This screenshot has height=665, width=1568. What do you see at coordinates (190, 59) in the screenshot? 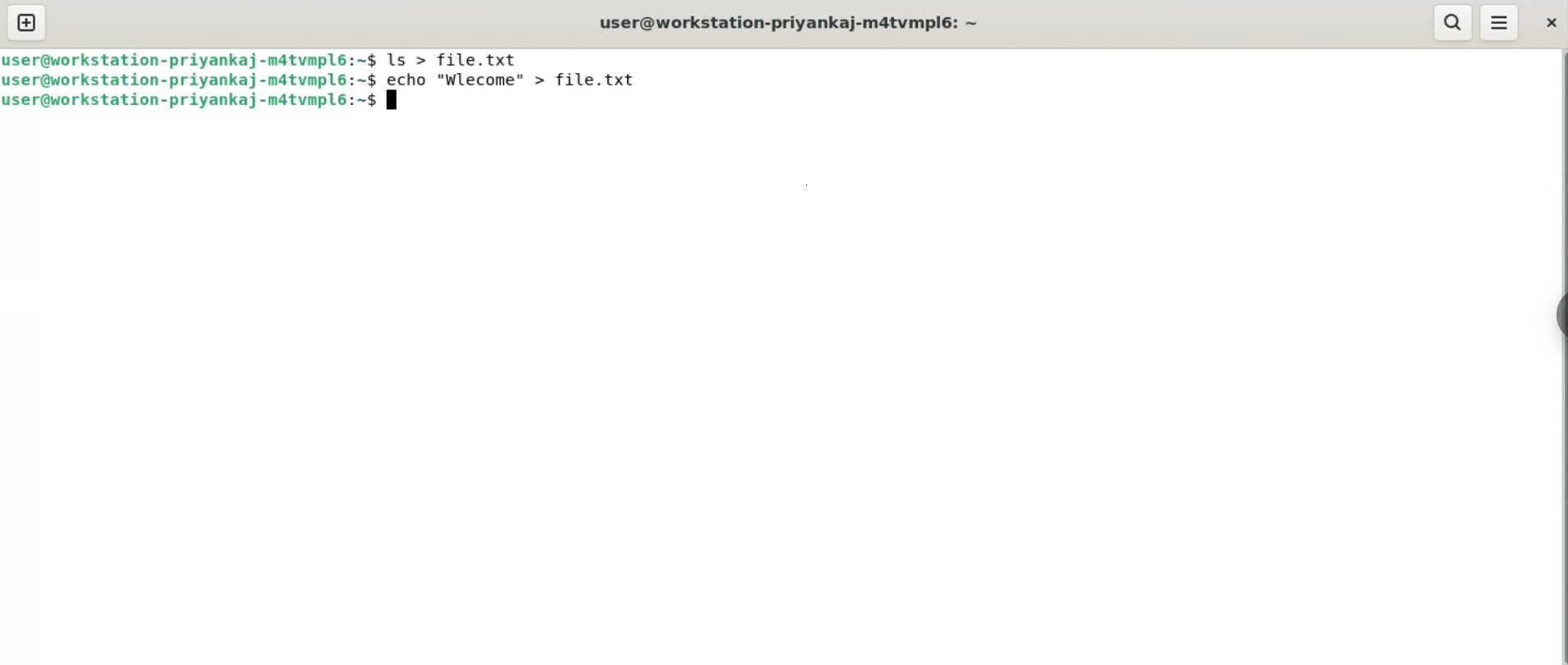
I see `user@workstation-priyankaj-m4tvmpl6: ~$` at bounding box center [190, 59].